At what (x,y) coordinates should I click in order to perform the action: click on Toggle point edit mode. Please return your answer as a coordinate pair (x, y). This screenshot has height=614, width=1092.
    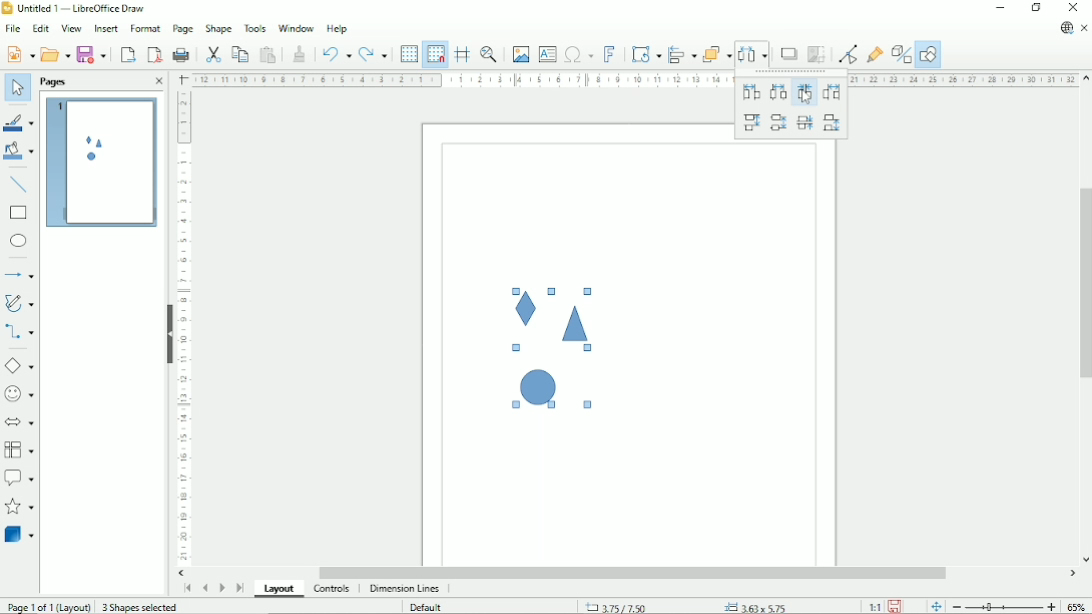
    Looking at the image, I should click on (847, 54).